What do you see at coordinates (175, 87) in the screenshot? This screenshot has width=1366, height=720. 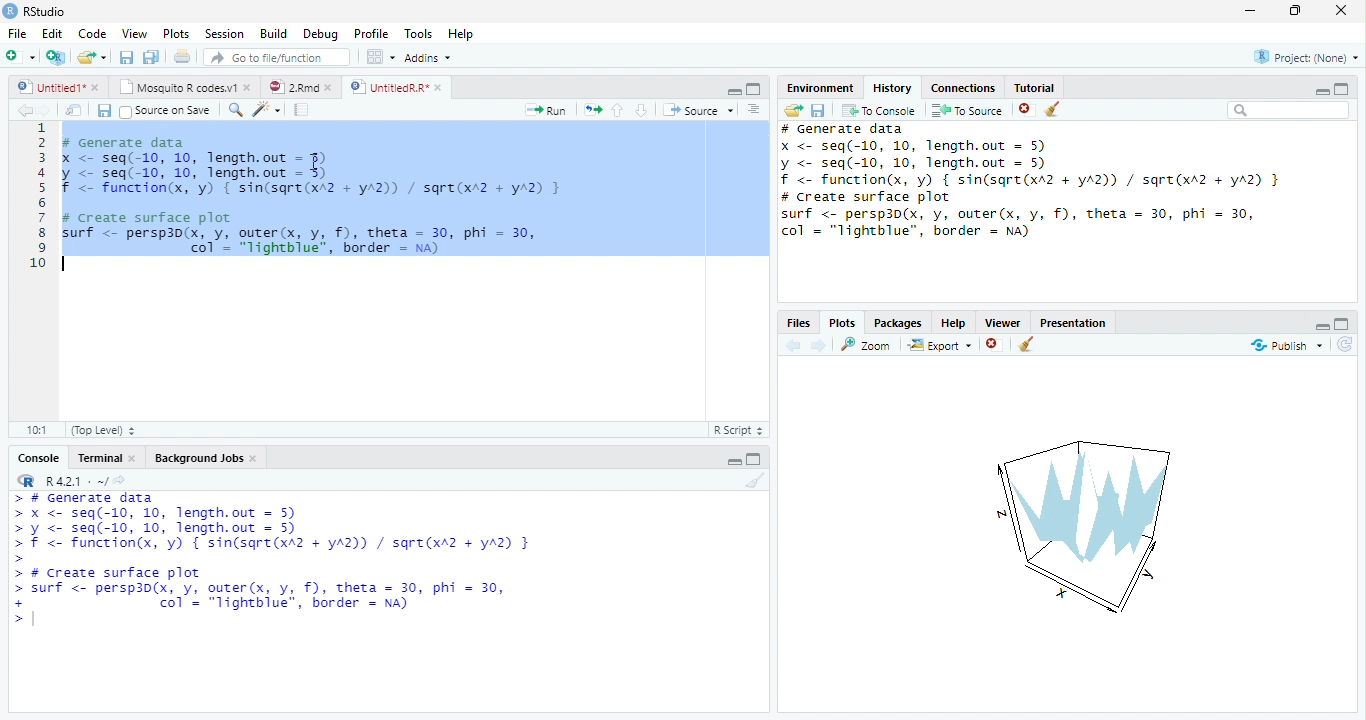 I see `Mosquito R codes.v1` at bounding box center [175, 87].